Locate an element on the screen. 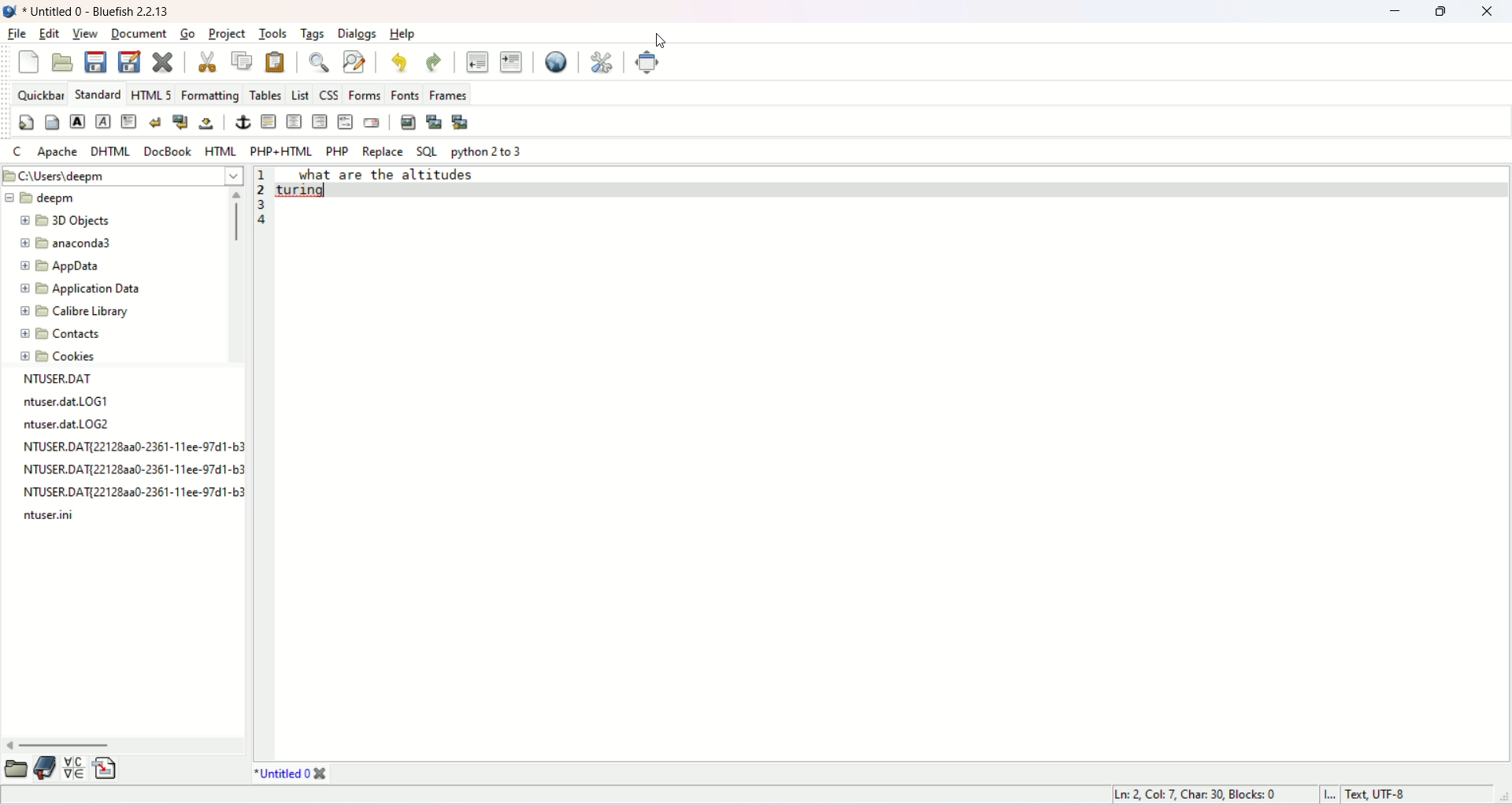 The image size is (1512, 805). fullscreen is located at coordinates (649, 61).